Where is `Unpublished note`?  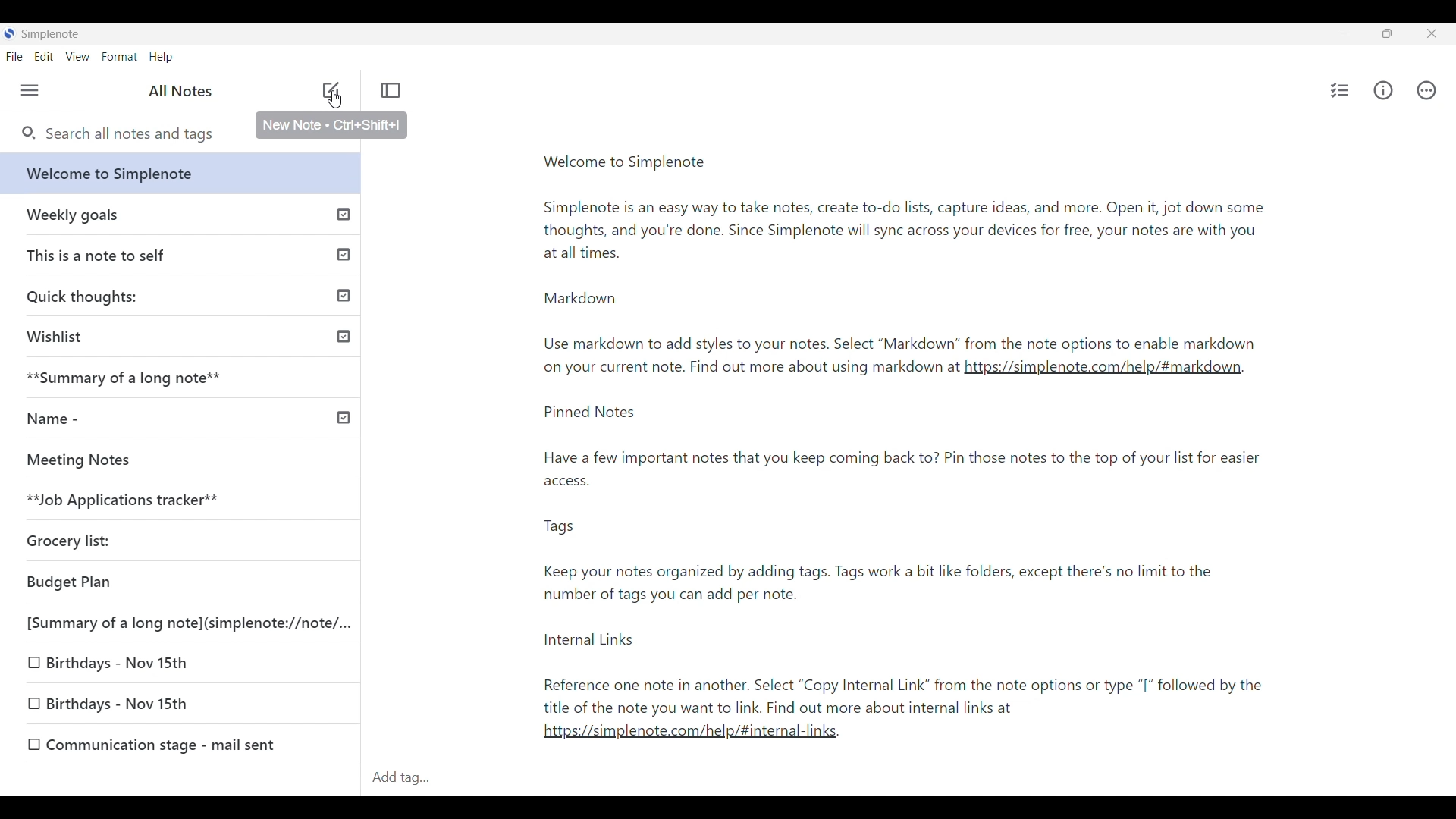 Unpublished note is located at coordinates (188, 375).